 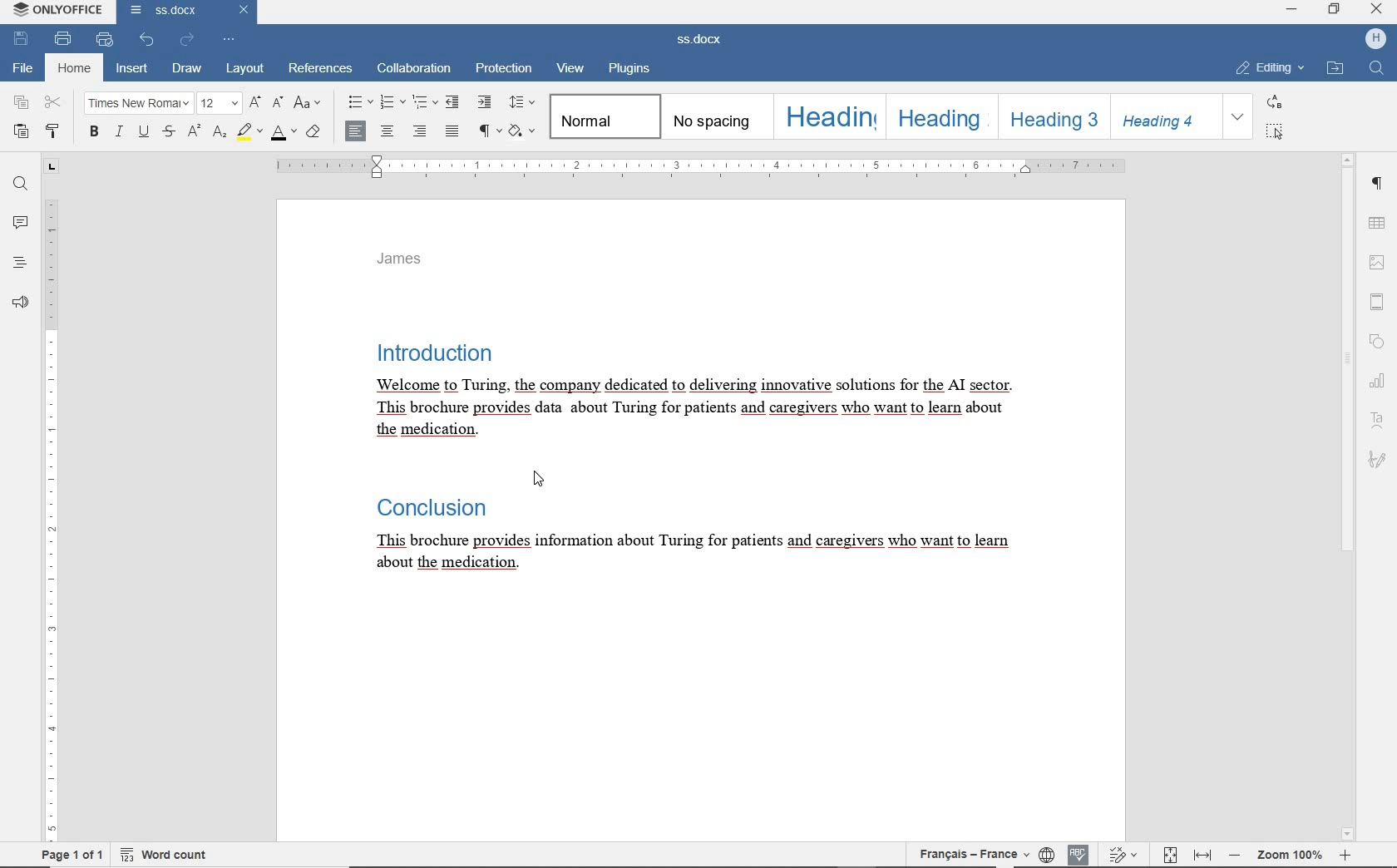 What do you see at coordinates (453, 131) in the screenshot?
I see `JUSTIFIED` at bounding box center [453, 131].